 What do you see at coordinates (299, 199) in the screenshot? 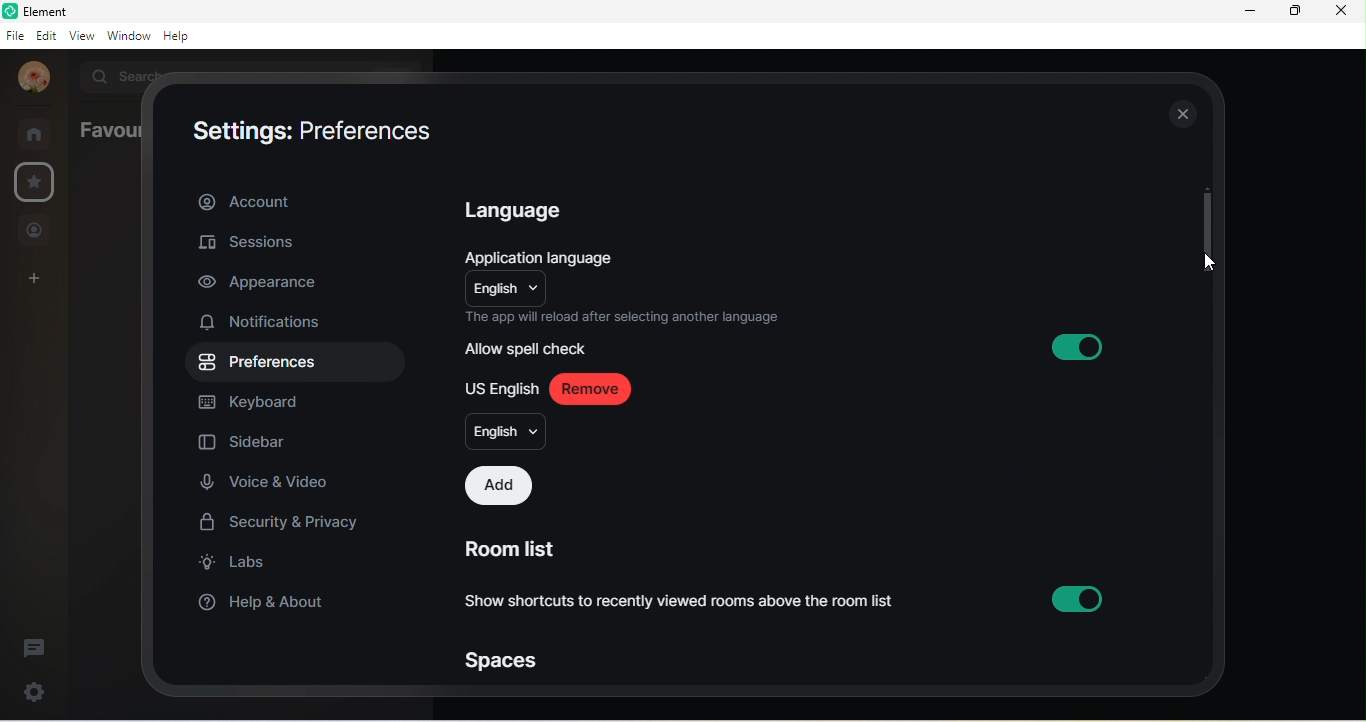
I see `account` at bounding box center [299, 199].